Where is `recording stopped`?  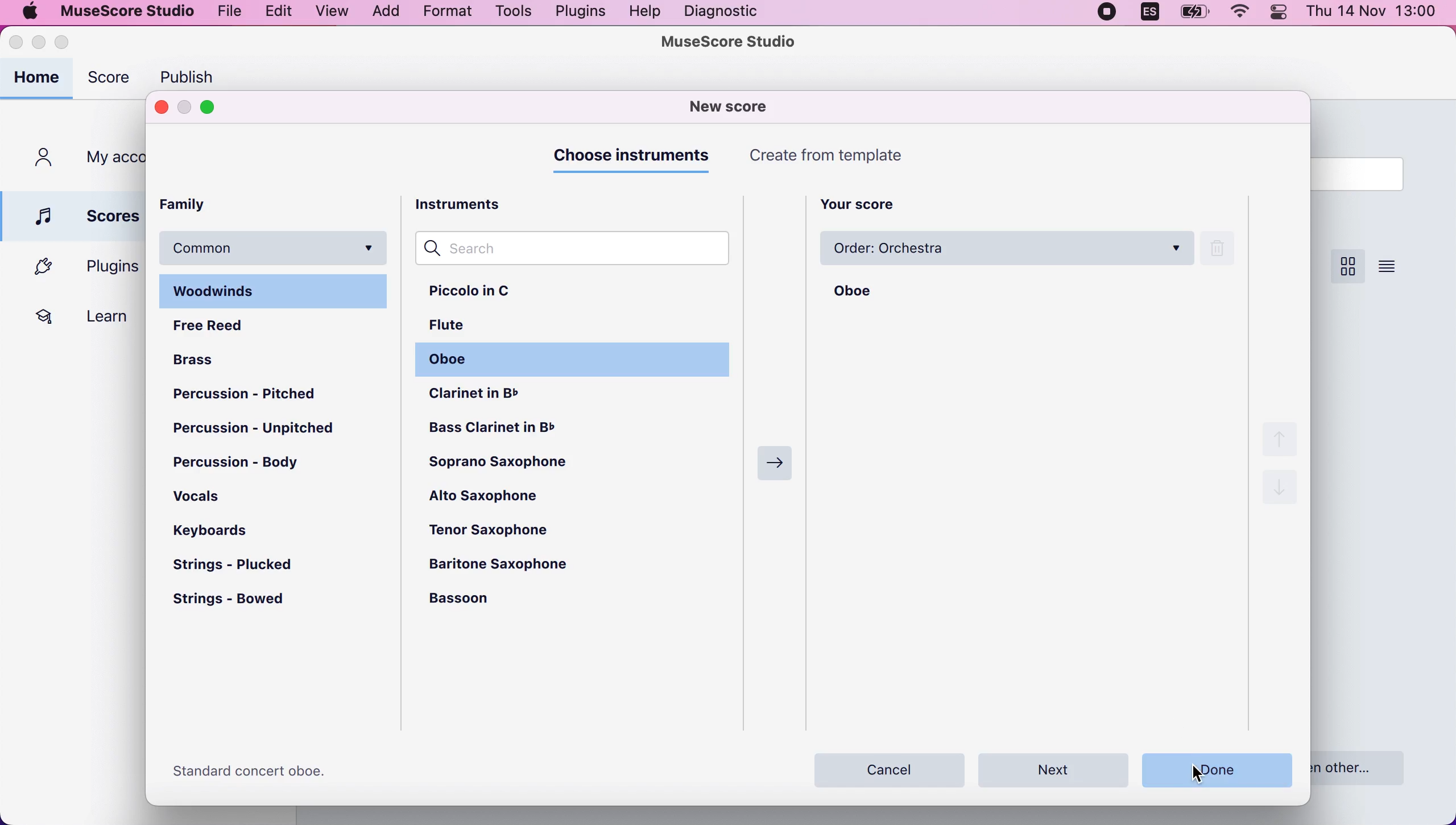 recording stopped is located at coordinates (1107, 15).